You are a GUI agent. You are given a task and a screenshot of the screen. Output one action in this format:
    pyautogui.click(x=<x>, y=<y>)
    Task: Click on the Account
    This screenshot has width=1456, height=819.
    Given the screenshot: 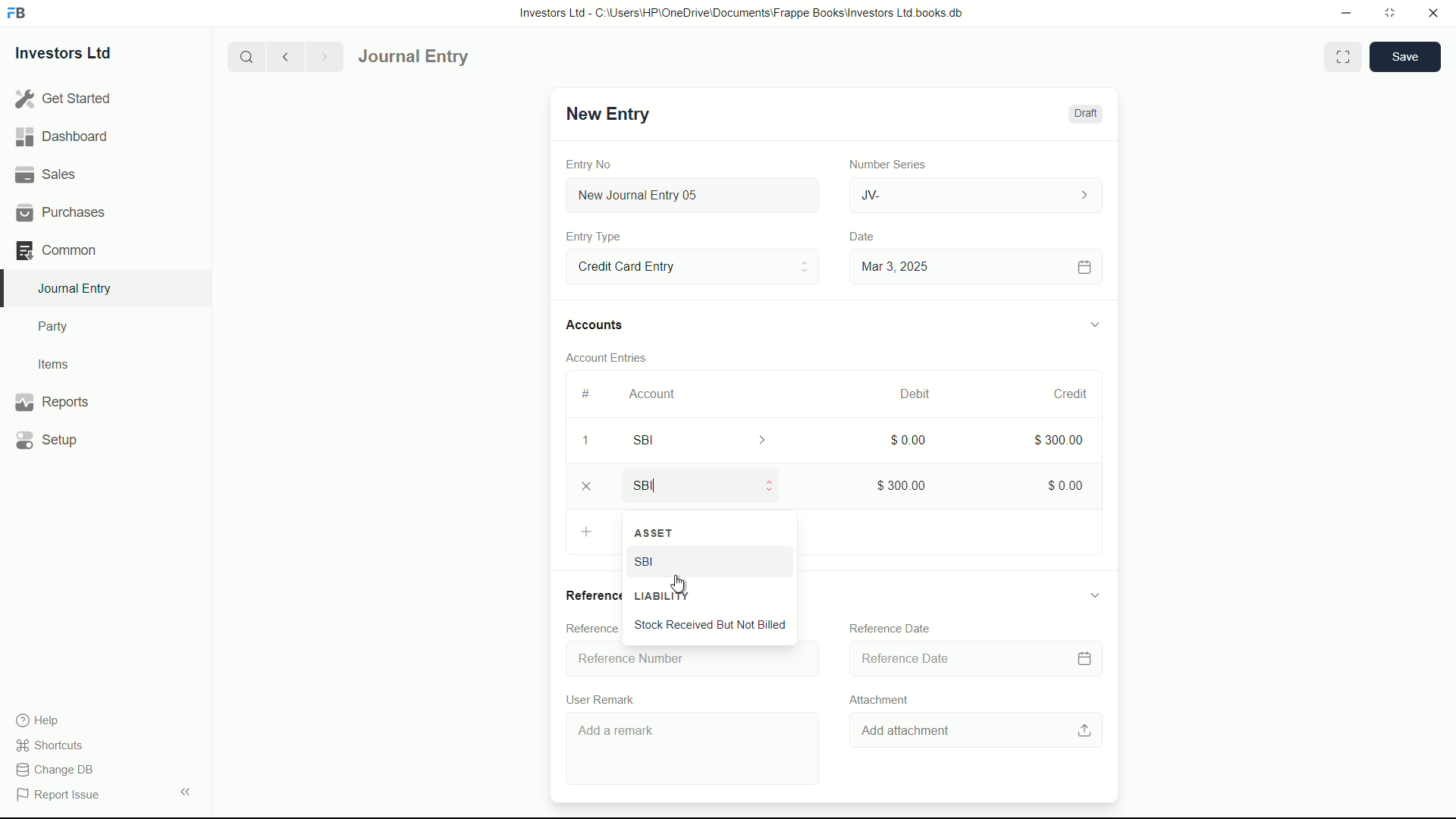 What is the action you would take?
    pyautogui.click(x=653, y=394)
    